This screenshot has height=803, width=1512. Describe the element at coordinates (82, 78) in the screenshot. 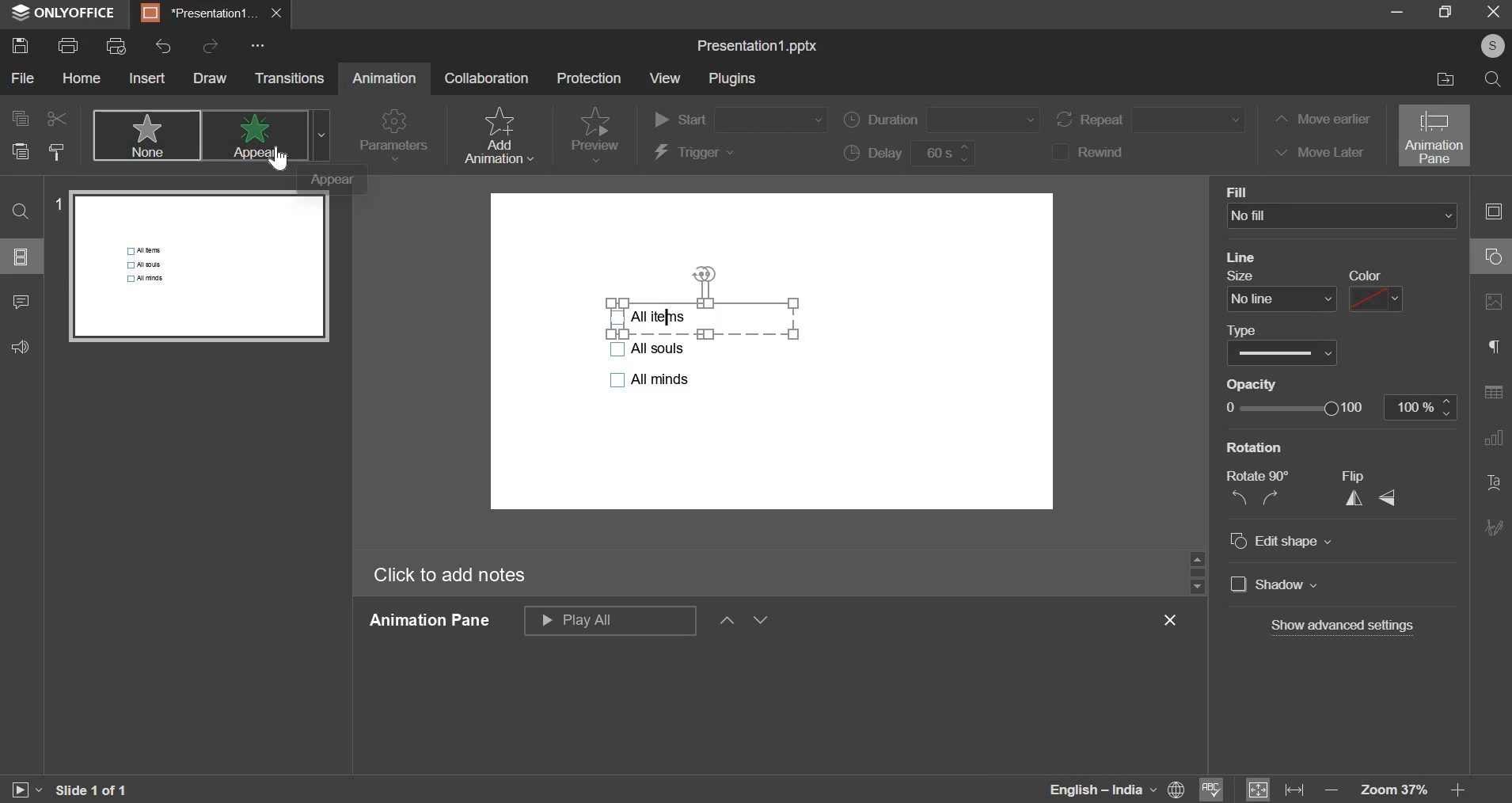

I see `home` at that location.